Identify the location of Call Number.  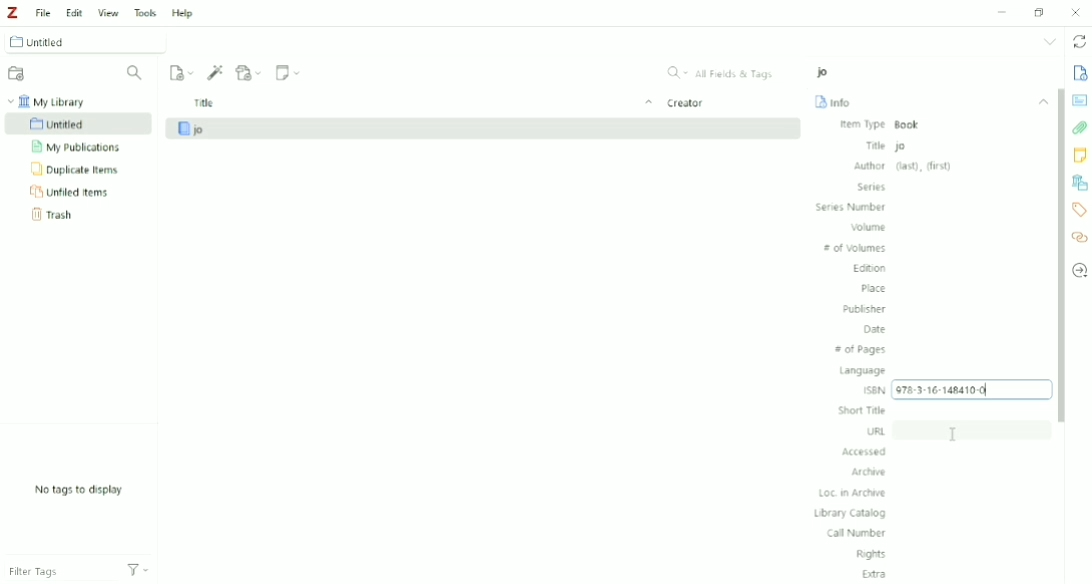
(854, 534).